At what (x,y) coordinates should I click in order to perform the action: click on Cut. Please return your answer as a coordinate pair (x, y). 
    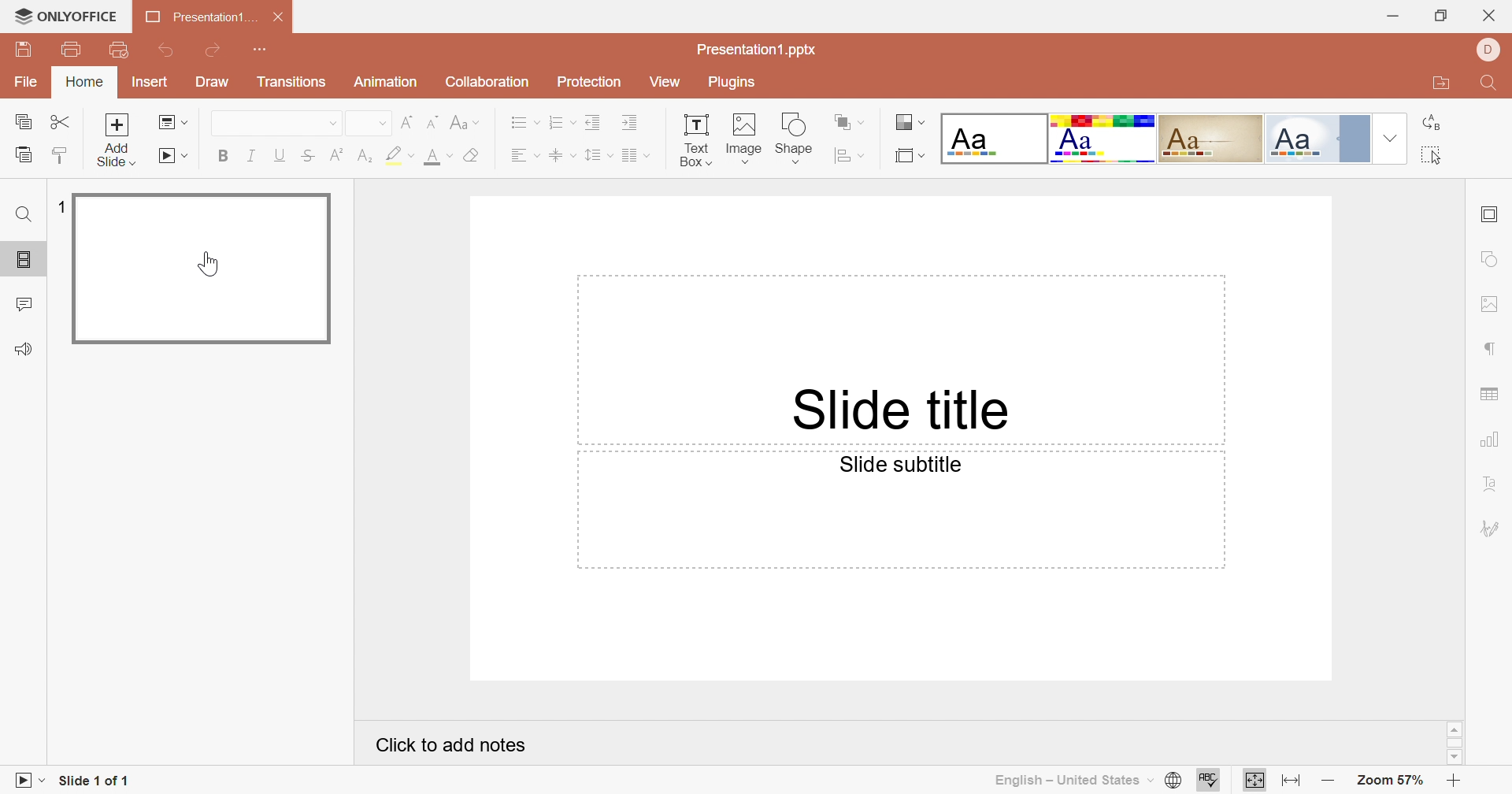
    Looking at the image, I should click on (61, 121).